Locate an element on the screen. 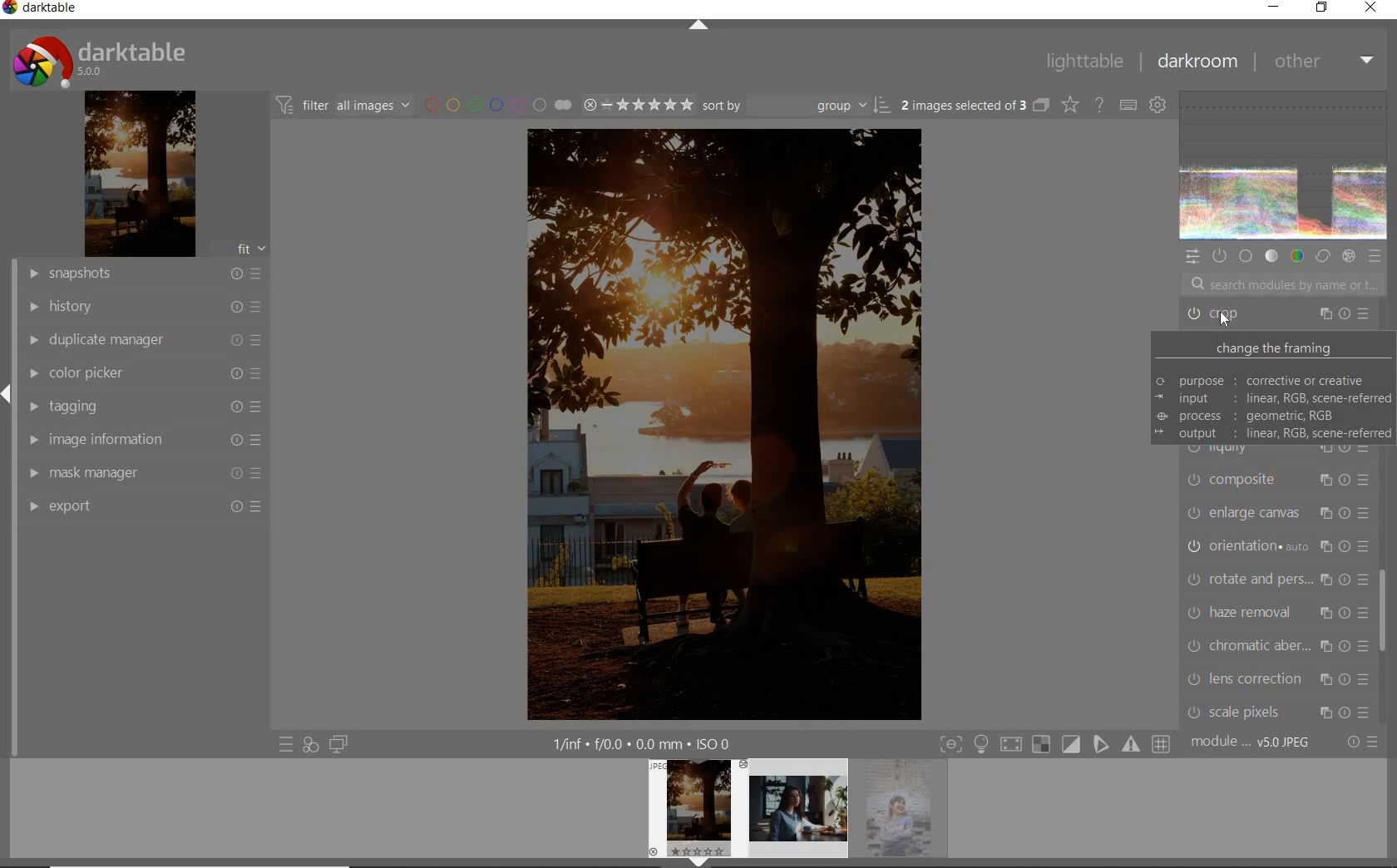 The height and width of the screenshot is (868, 1397). mask manager is located at coordinates (143, 472).